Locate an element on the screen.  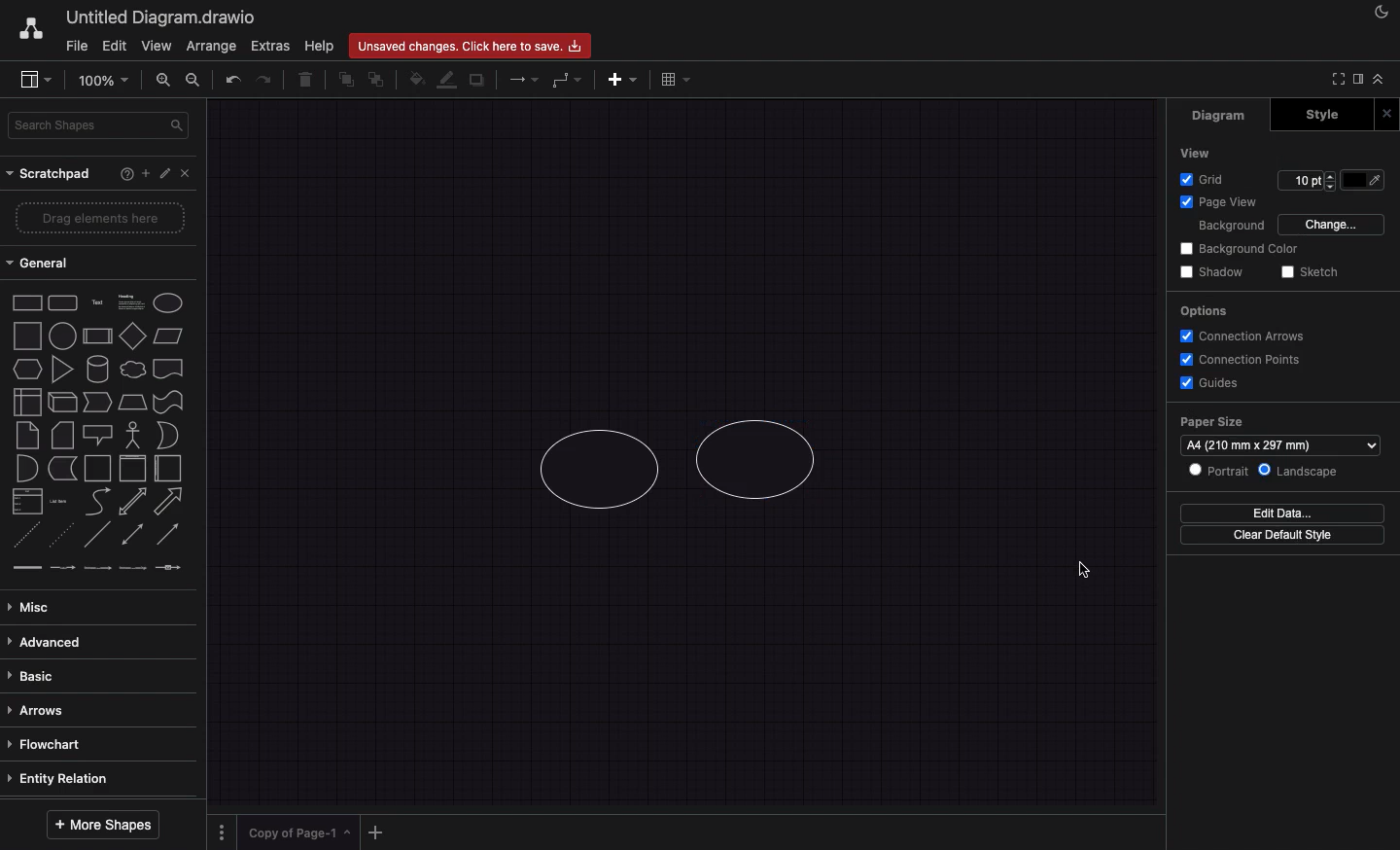
file is located at coordinates (76, 46).